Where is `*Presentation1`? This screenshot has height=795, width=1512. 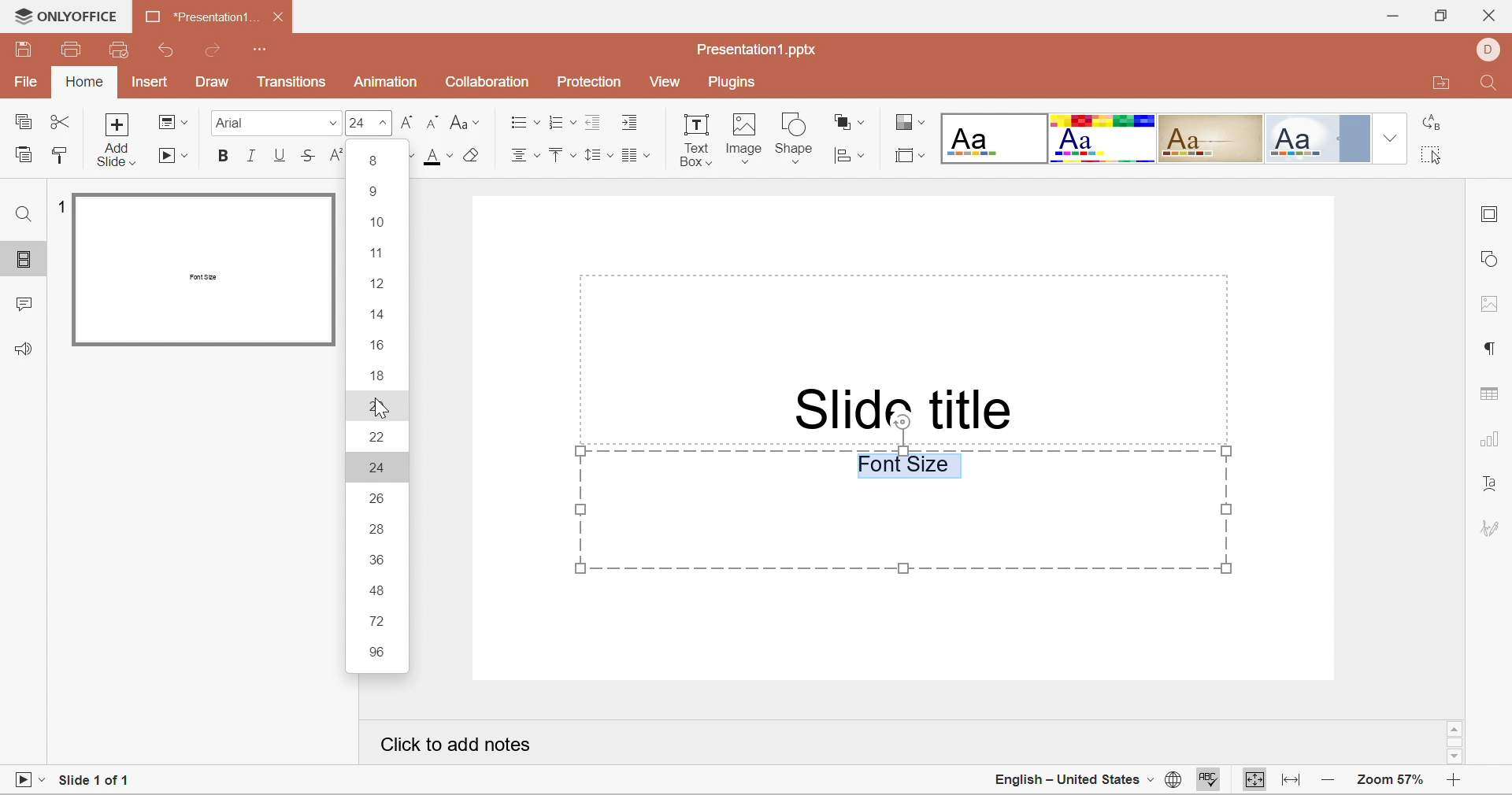
*Presentation1 is located at coordinates (195, 15).